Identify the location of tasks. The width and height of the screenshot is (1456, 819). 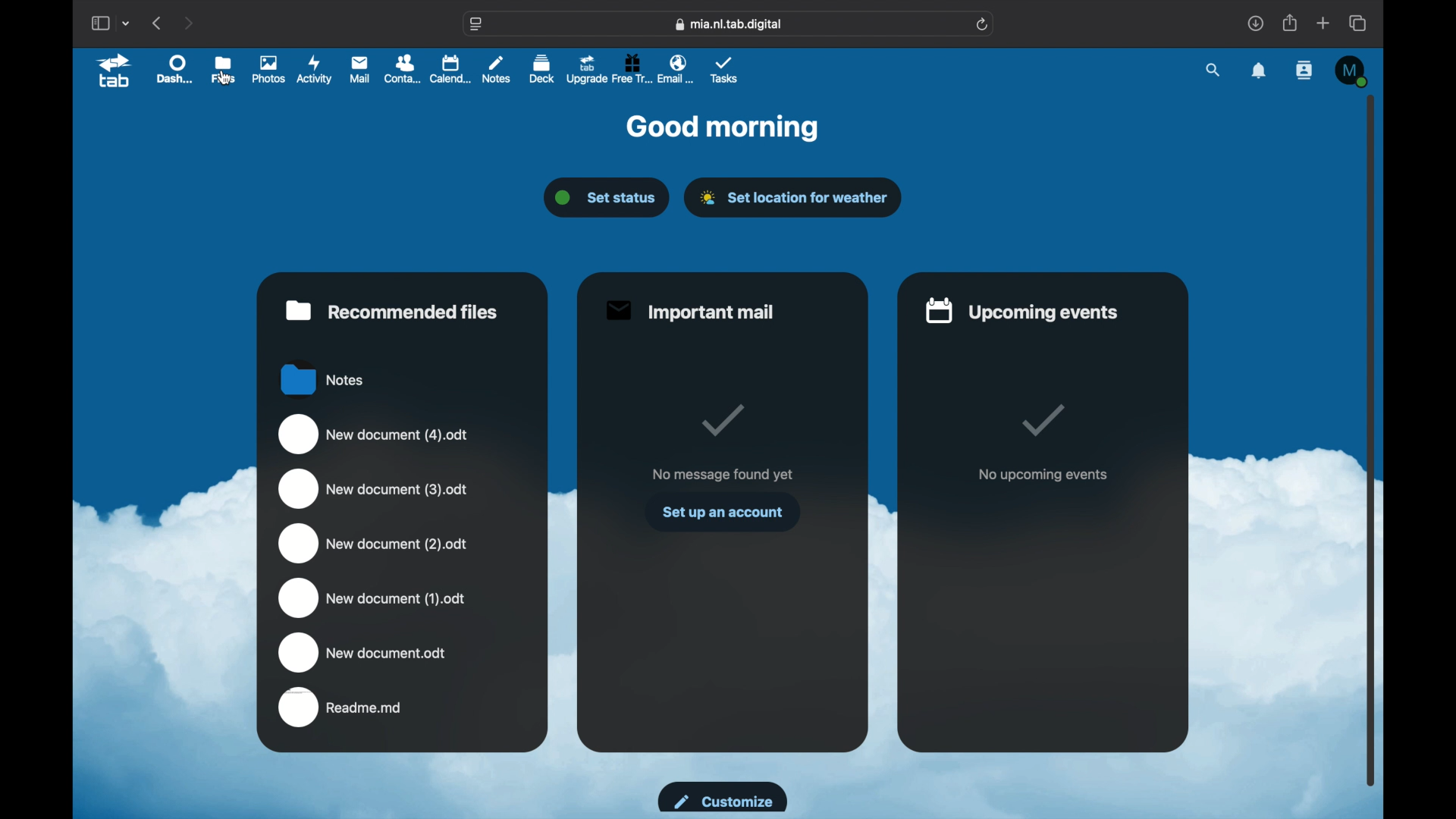
(724, 71).